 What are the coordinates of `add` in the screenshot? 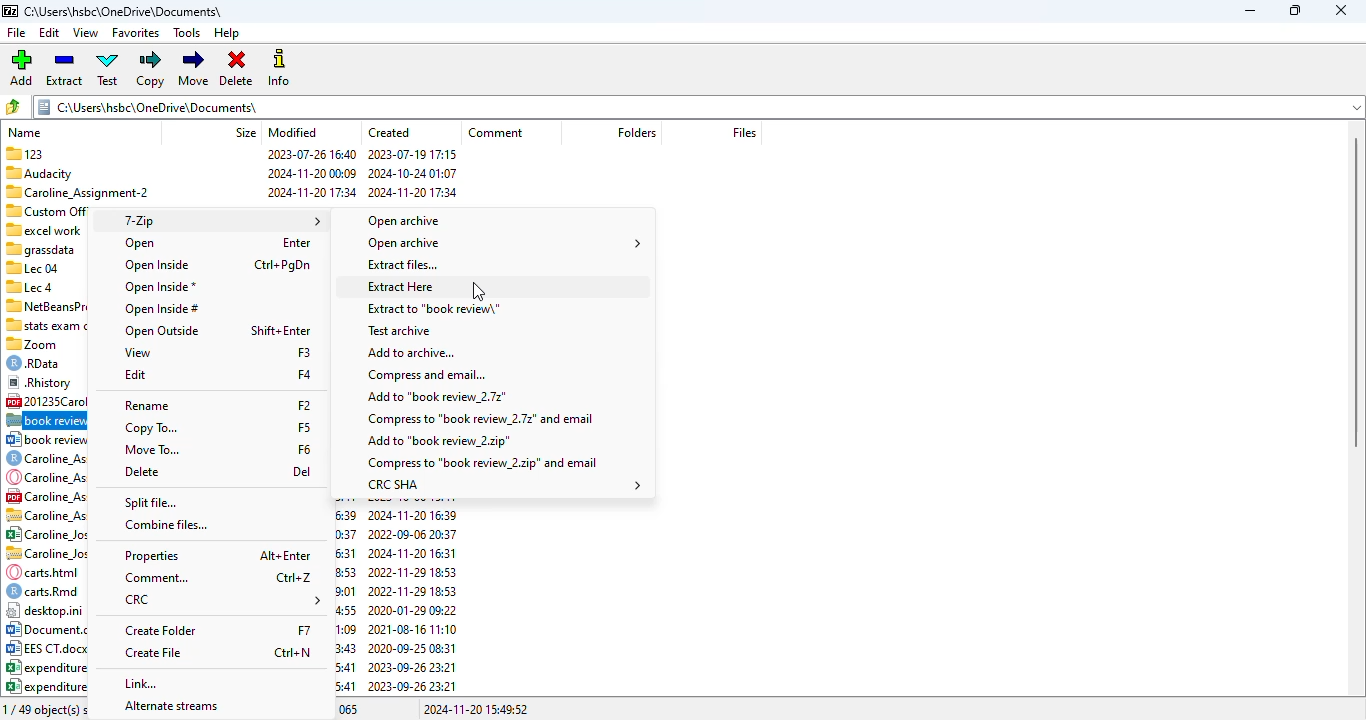 It's located at (21, 67).